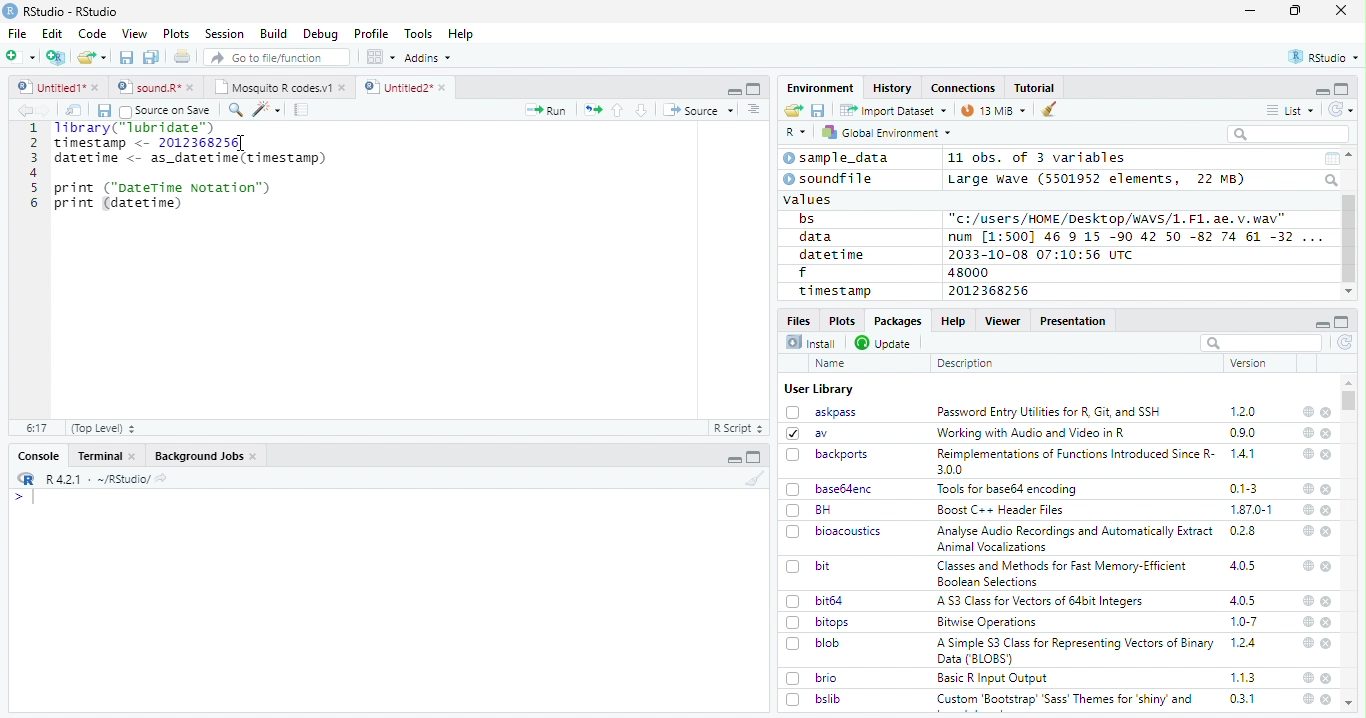 This screenshot has height=718, width=1366. What do you see at coordinates (821, 87) in the screenshot?
I see `Environment` at bounding box center [821, 87].